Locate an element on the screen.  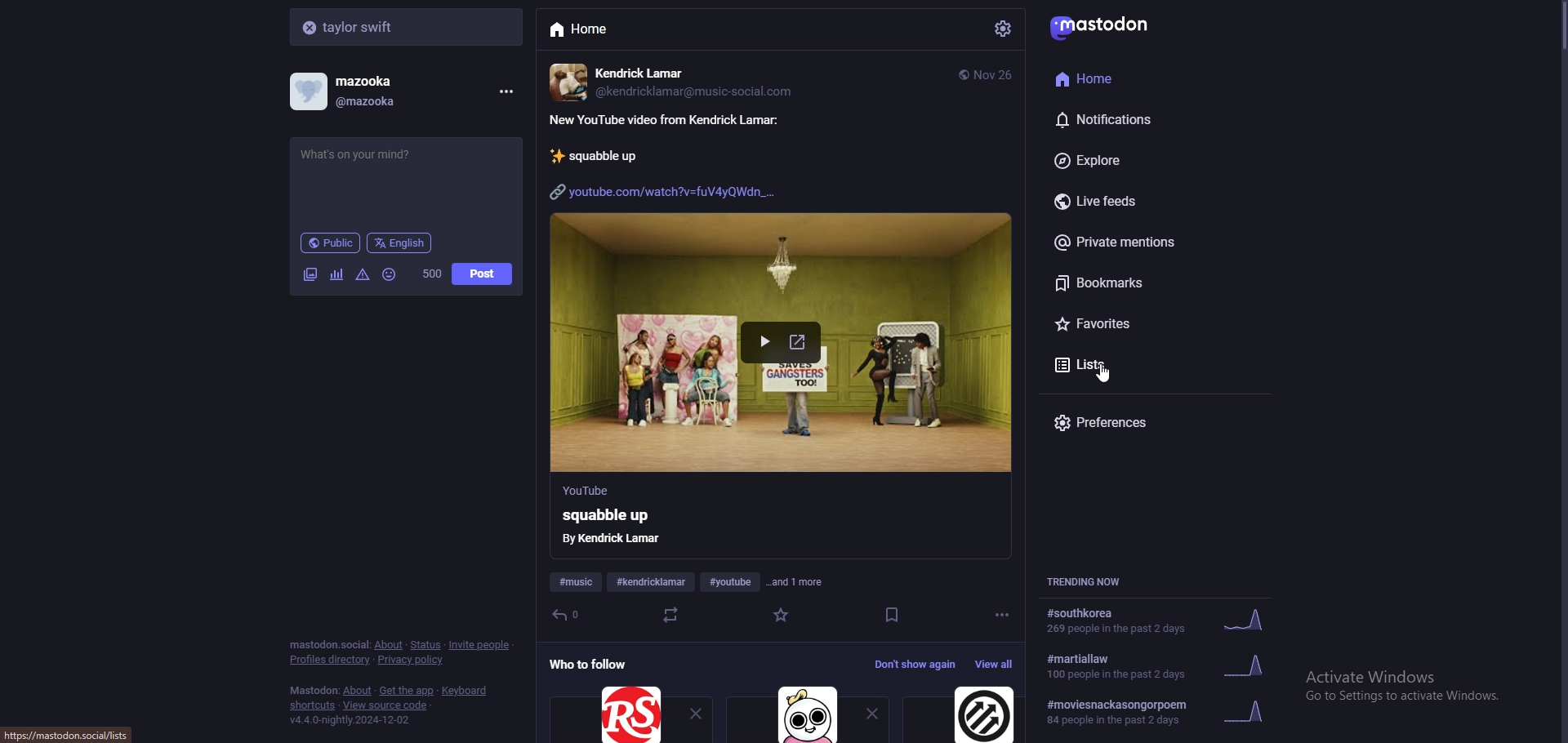
profiles directory is located at coordinates (331, 661).